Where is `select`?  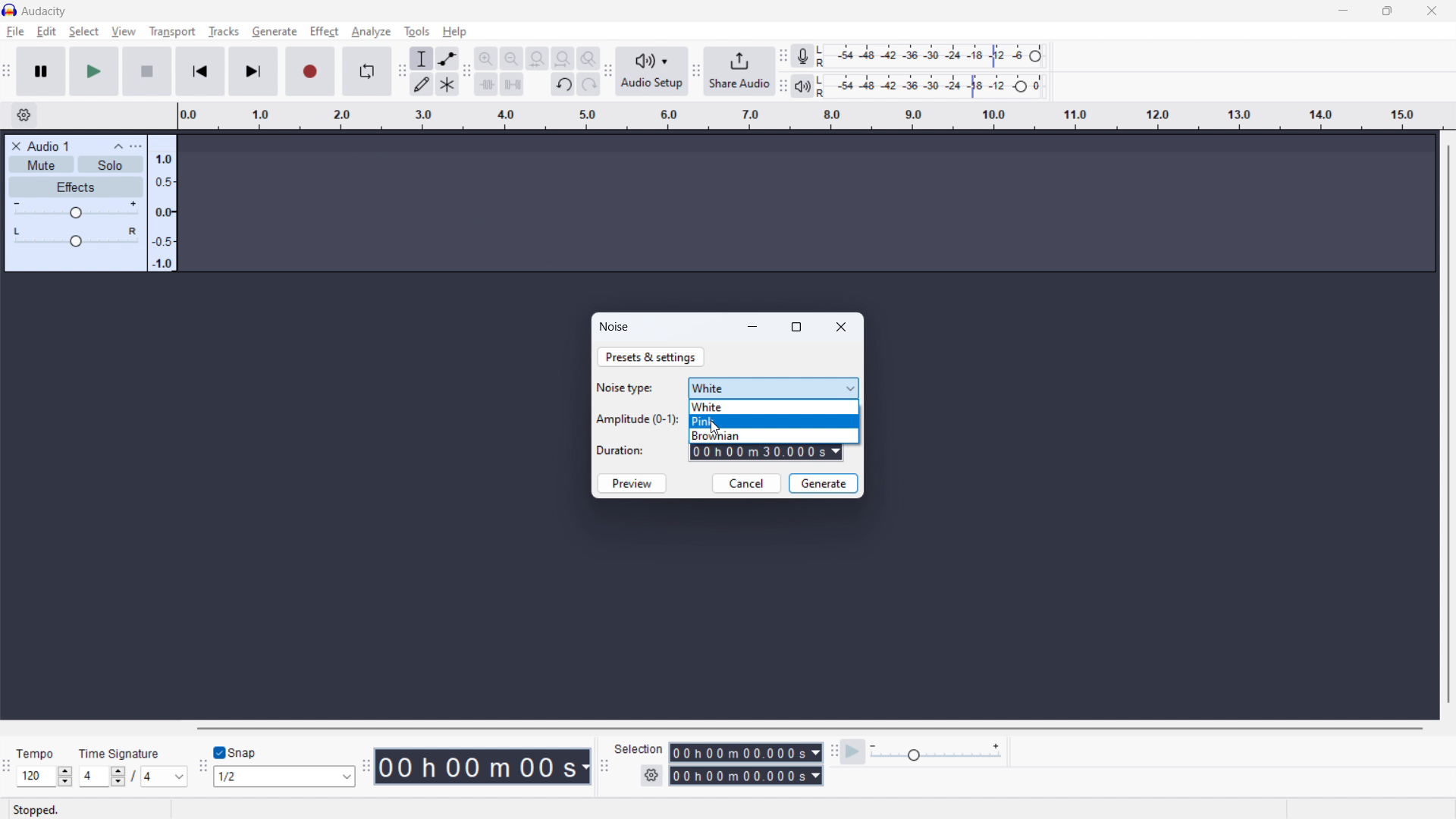
select is located at coordinates (84, 32).